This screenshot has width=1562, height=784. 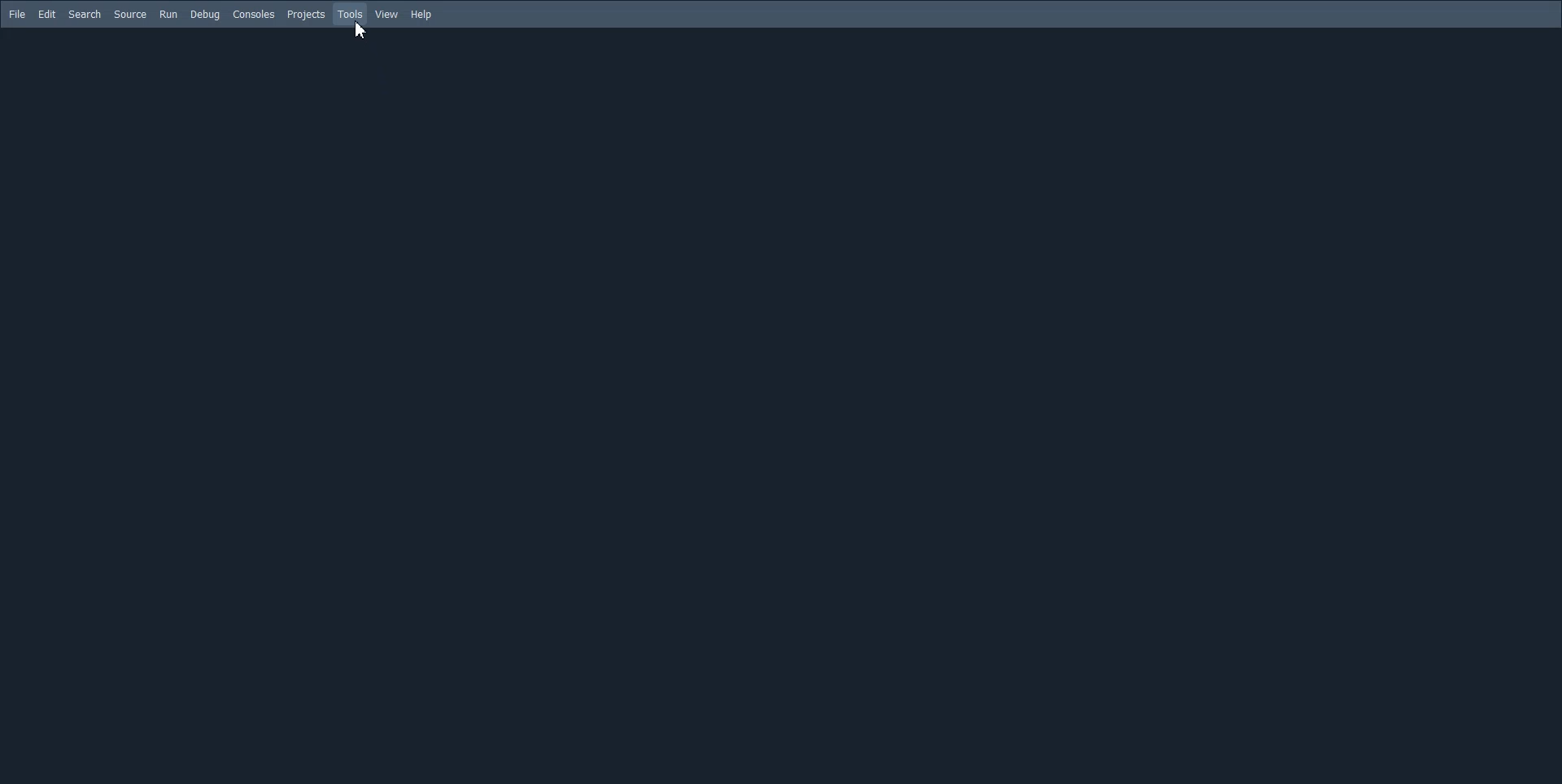 What do you see at coordinates (205, 15) in the screenshot?
I see `Debug` at bounding box center [205, 15].